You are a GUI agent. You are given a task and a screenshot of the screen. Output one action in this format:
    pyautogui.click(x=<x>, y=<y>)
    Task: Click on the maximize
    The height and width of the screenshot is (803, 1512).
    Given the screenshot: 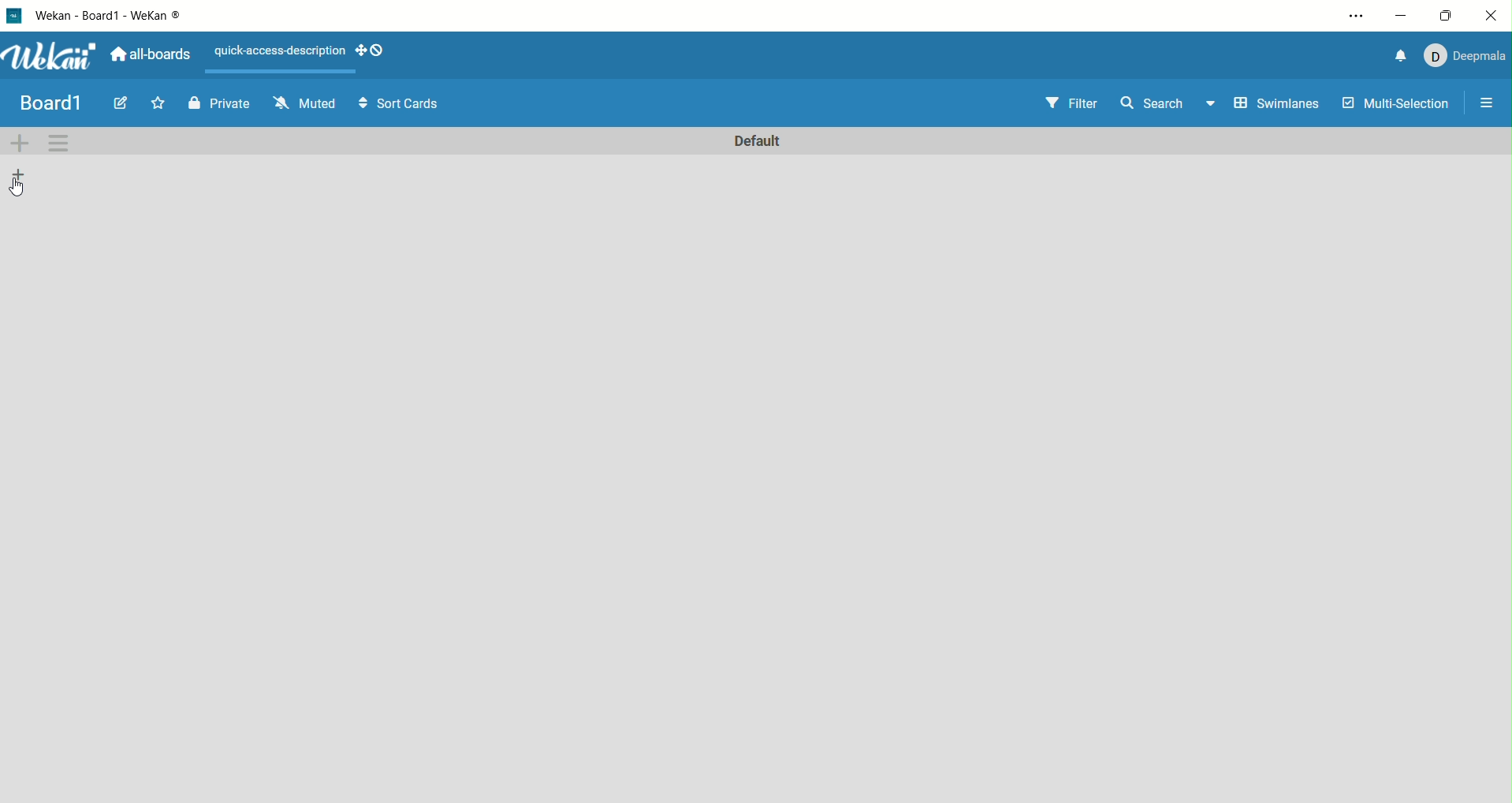 What is the action you would take?
    pyautogui.click(x=1451, y=13)
    